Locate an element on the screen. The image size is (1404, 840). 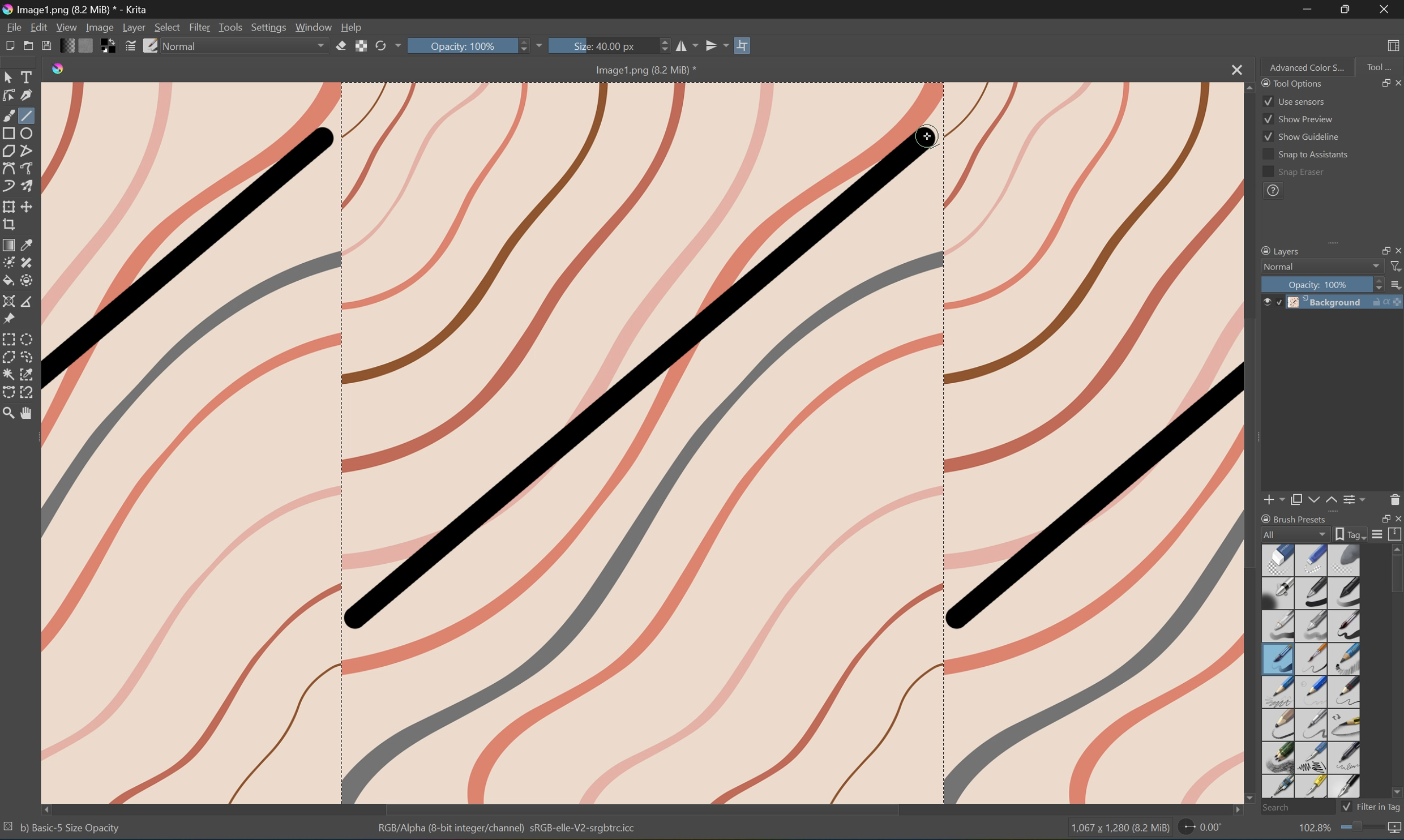
Close is located at coordinates (1234, 70).